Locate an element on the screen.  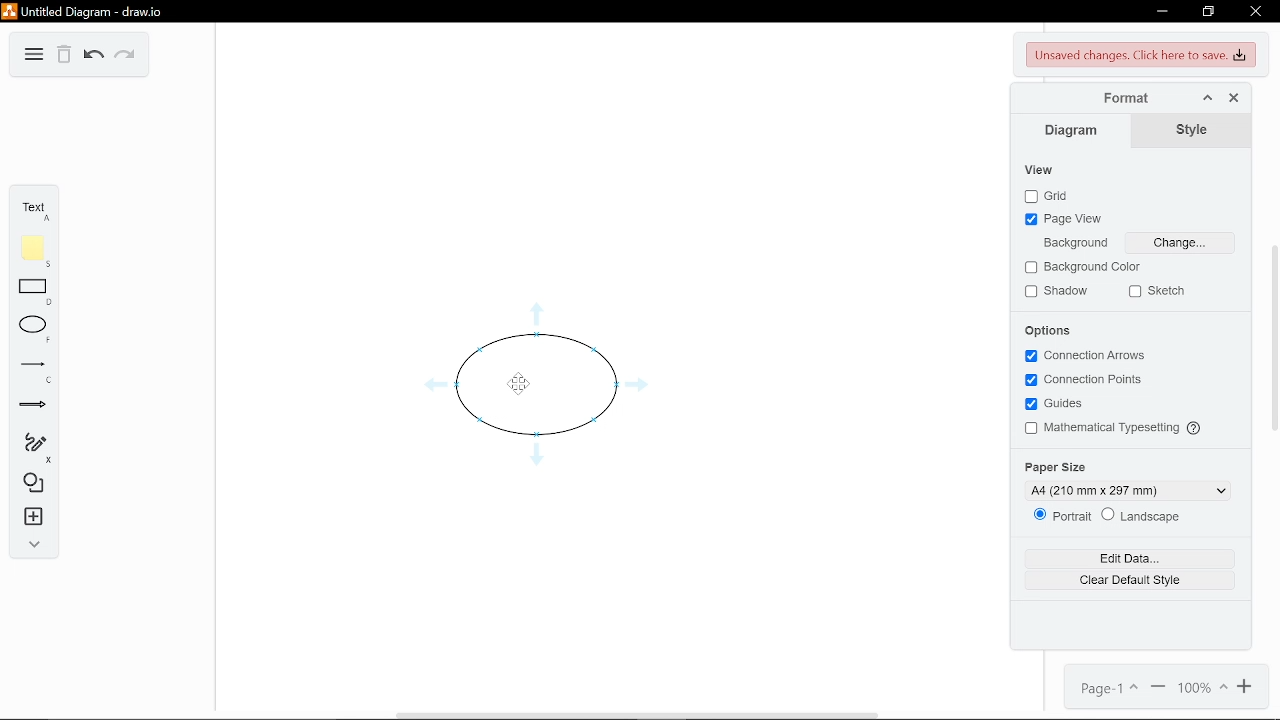
Change zoom is located at coordinates (1205, 688).